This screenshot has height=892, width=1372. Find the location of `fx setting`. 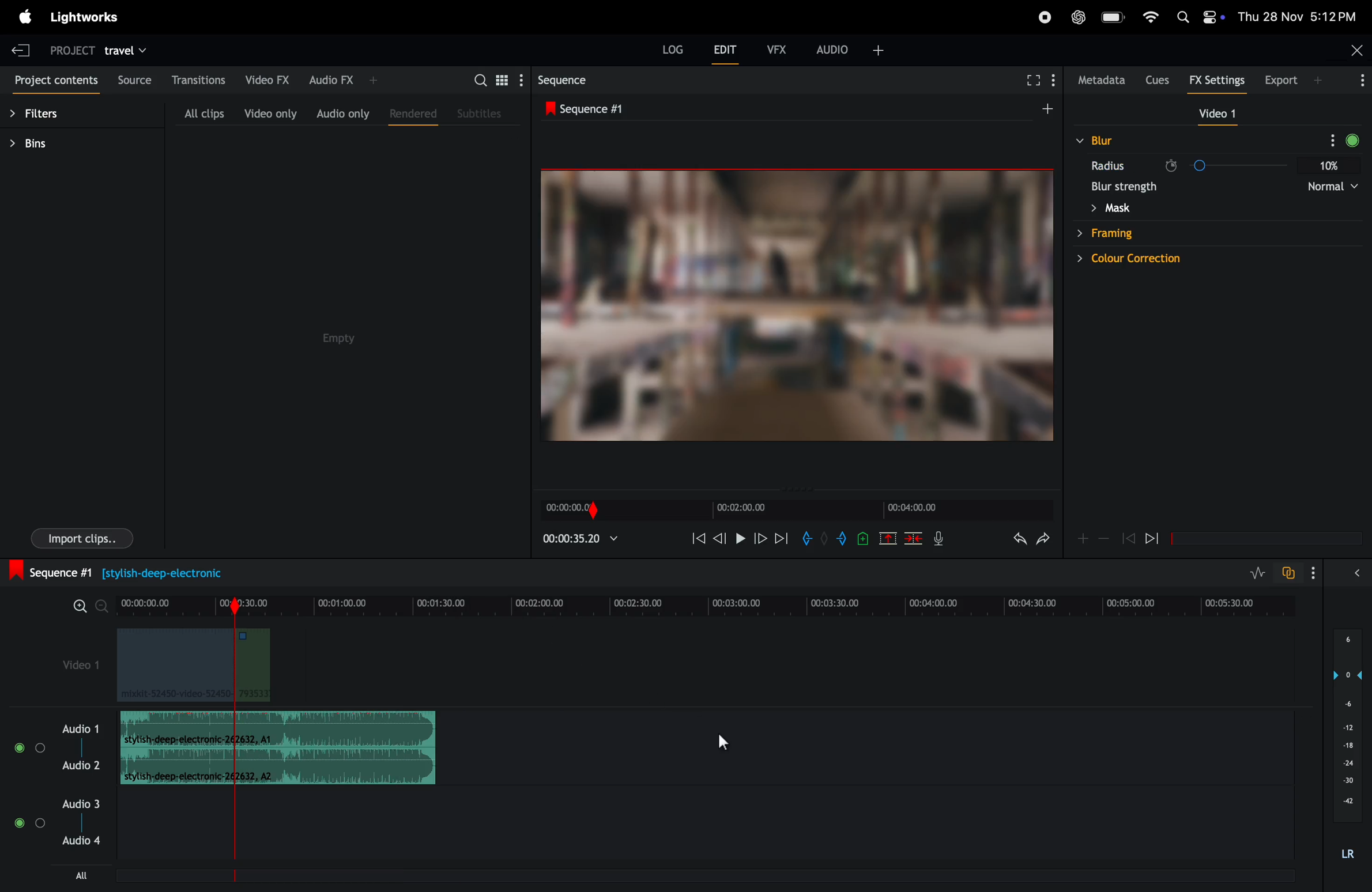

fx setting is located at coordinates (1215, 81).